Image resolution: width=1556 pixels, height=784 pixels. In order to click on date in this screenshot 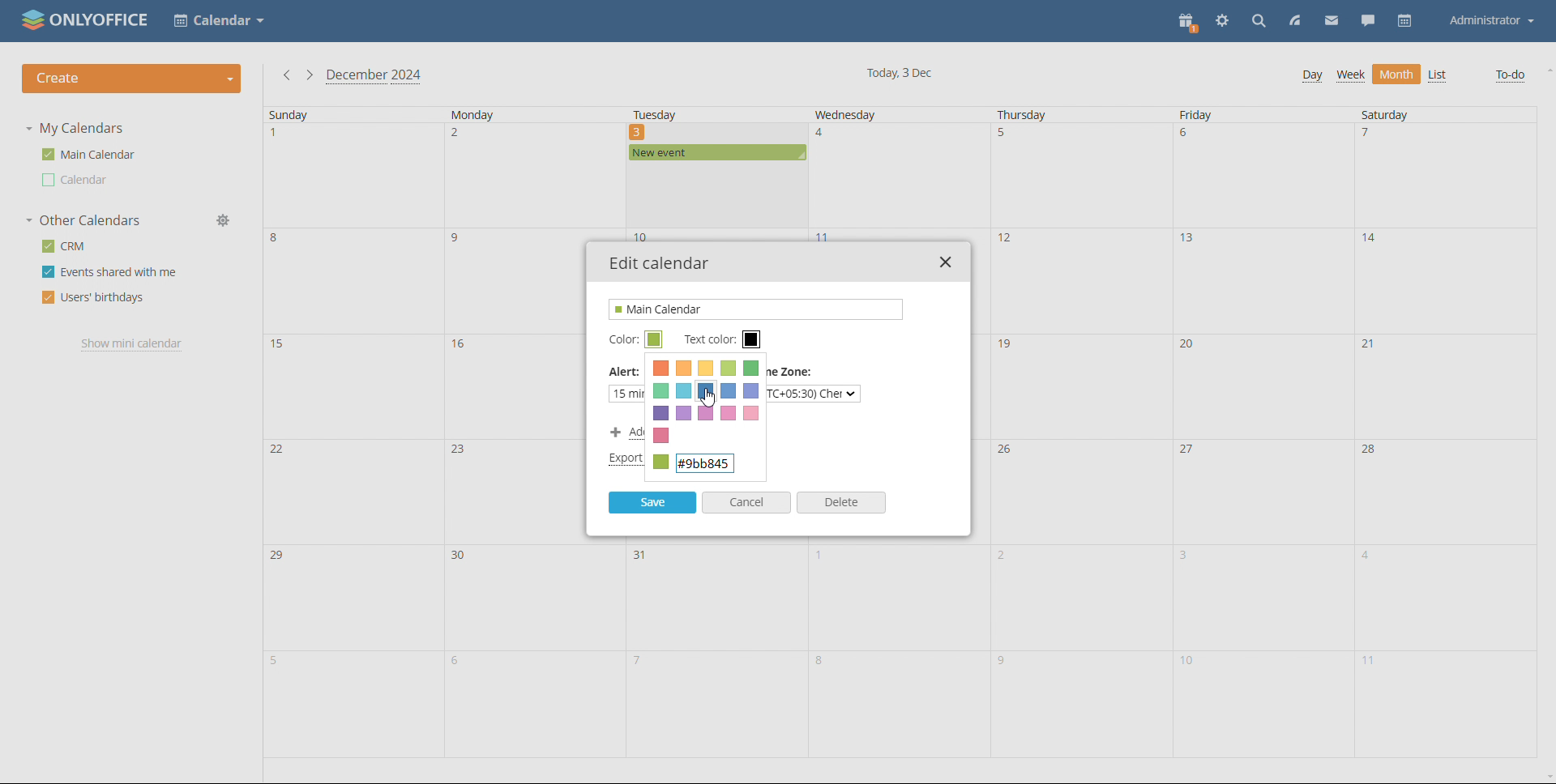, I will do `click(1446, 280)`.